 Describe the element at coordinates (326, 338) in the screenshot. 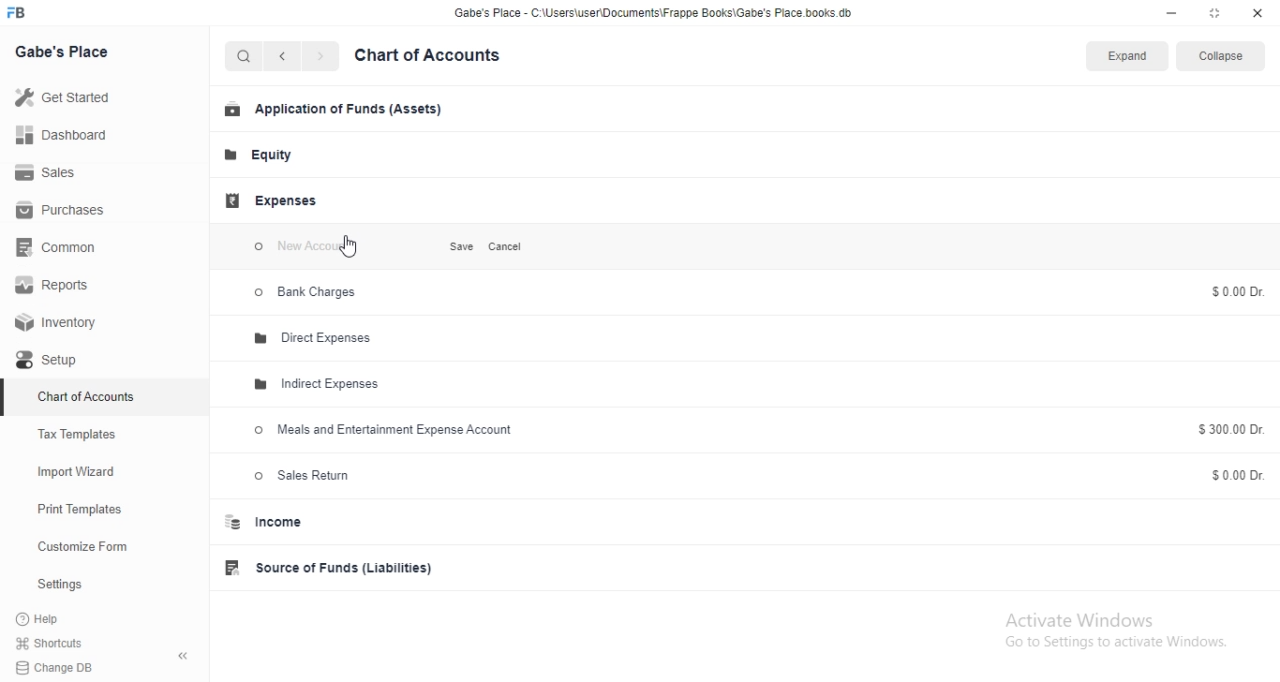

I see `Direct Expenses.` at that location.